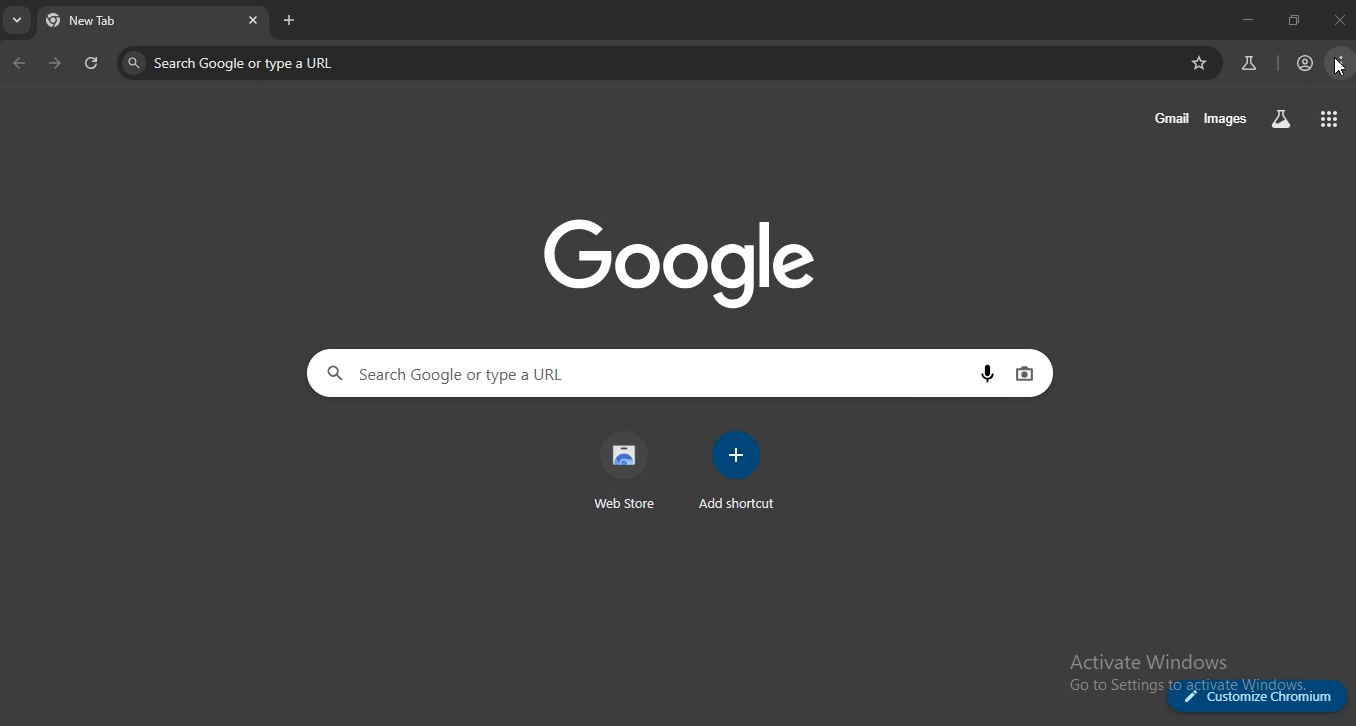  I want to click on customize and control chromium, so click(1342, 64).